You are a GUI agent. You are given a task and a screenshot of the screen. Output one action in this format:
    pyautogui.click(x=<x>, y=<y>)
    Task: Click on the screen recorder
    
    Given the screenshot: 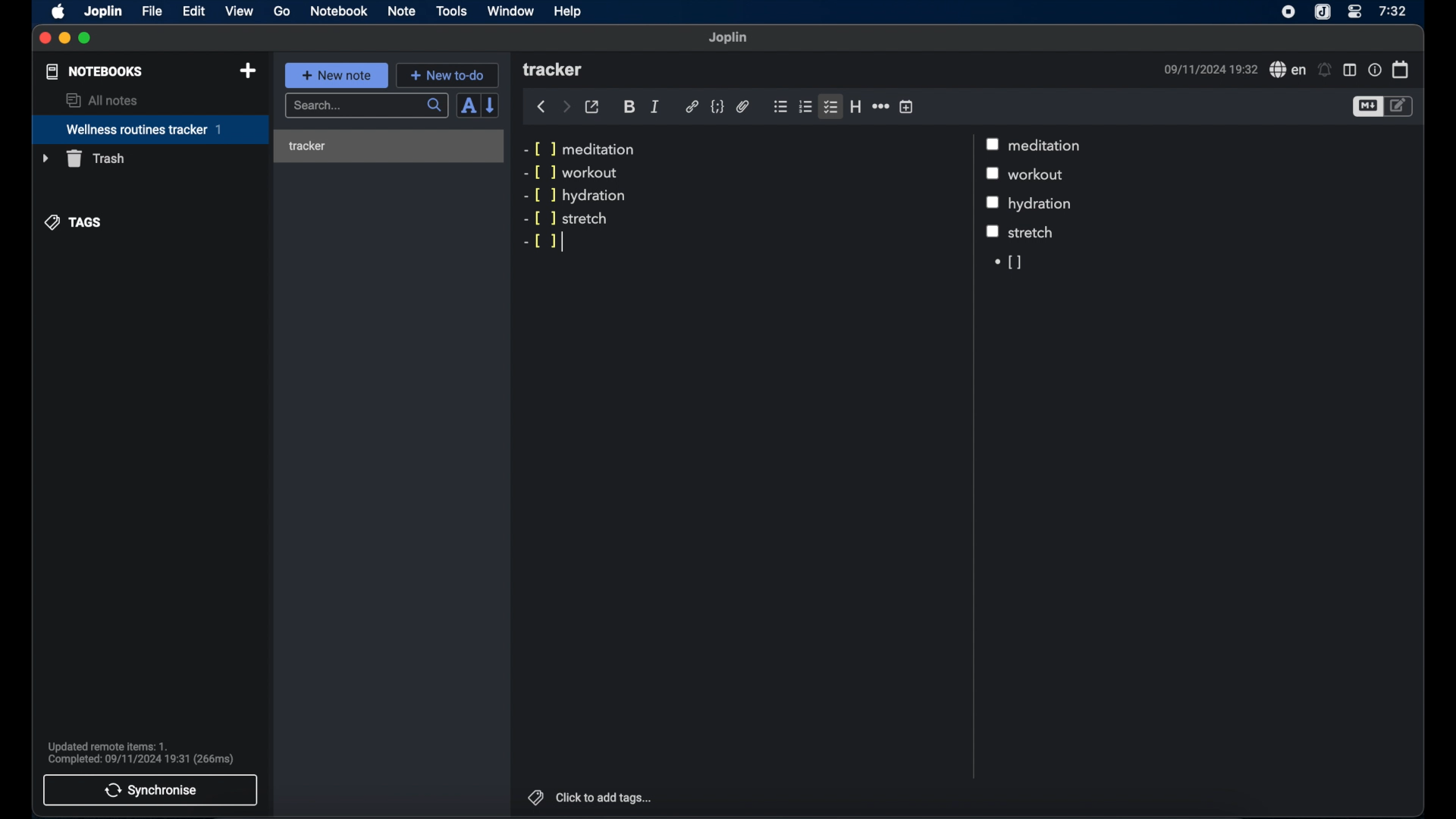 What is the action you would take?
    pyautogui.click(x=1288, y=11)
    